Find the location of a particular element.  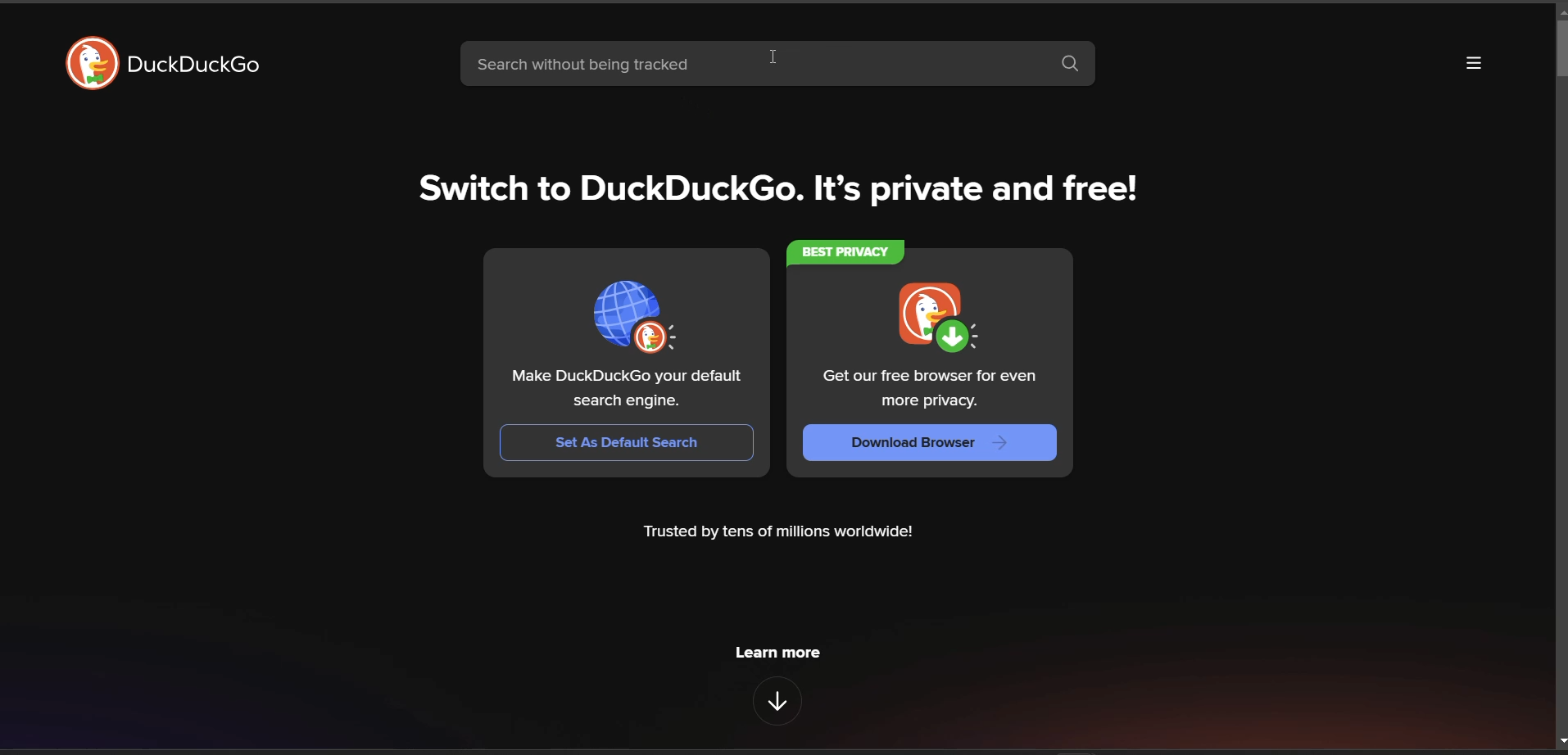

Switch to DuckDuckGo. It's private and free! is located at coordinates (791, 193).